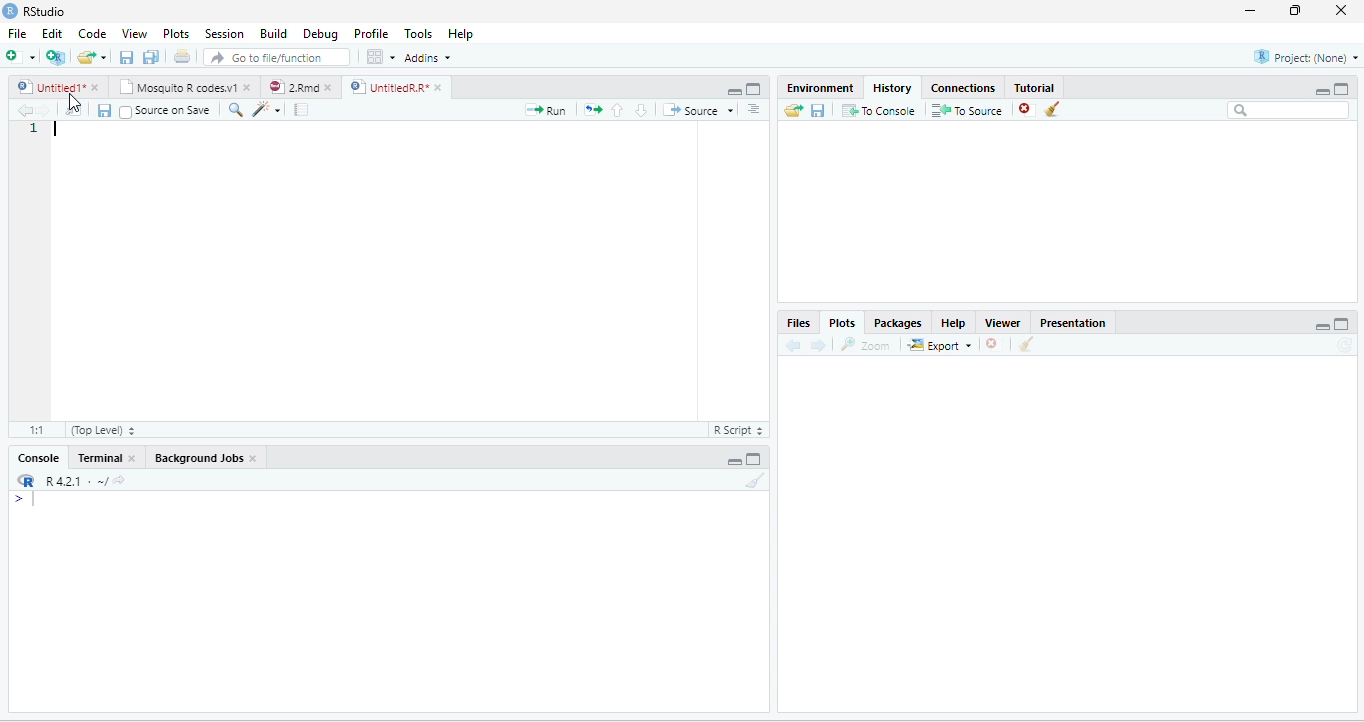  Describe the element at coordinates (131, 458) in the screenshot. I see `close` at that location.